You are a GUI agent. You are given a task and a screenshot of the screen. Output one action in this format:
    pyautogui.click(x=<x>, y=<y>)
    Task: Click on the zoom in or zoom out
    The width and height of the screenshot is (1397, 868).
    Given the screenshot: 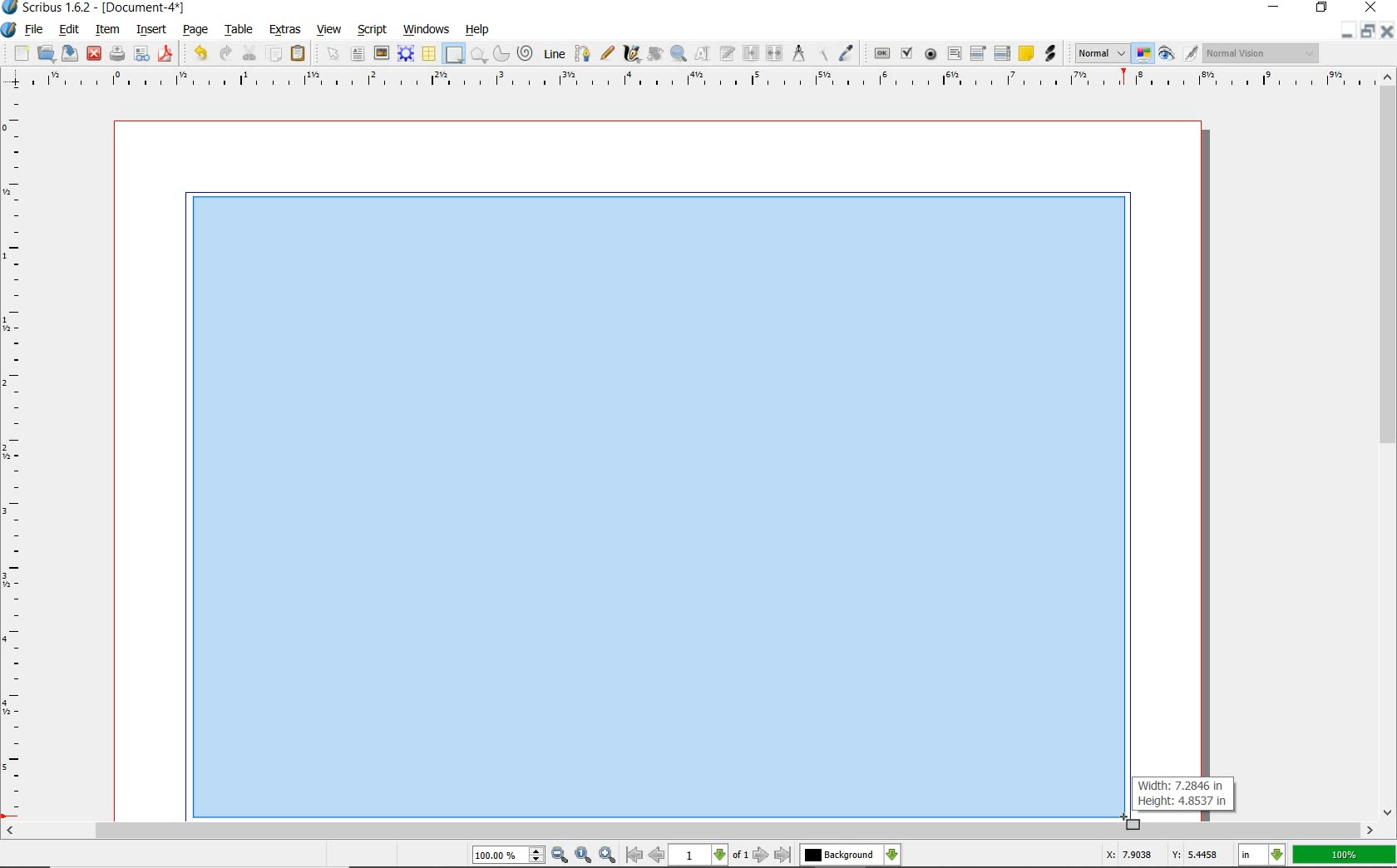 What is the action you would take?
    pyautogui.click(x=678, y=55)
    